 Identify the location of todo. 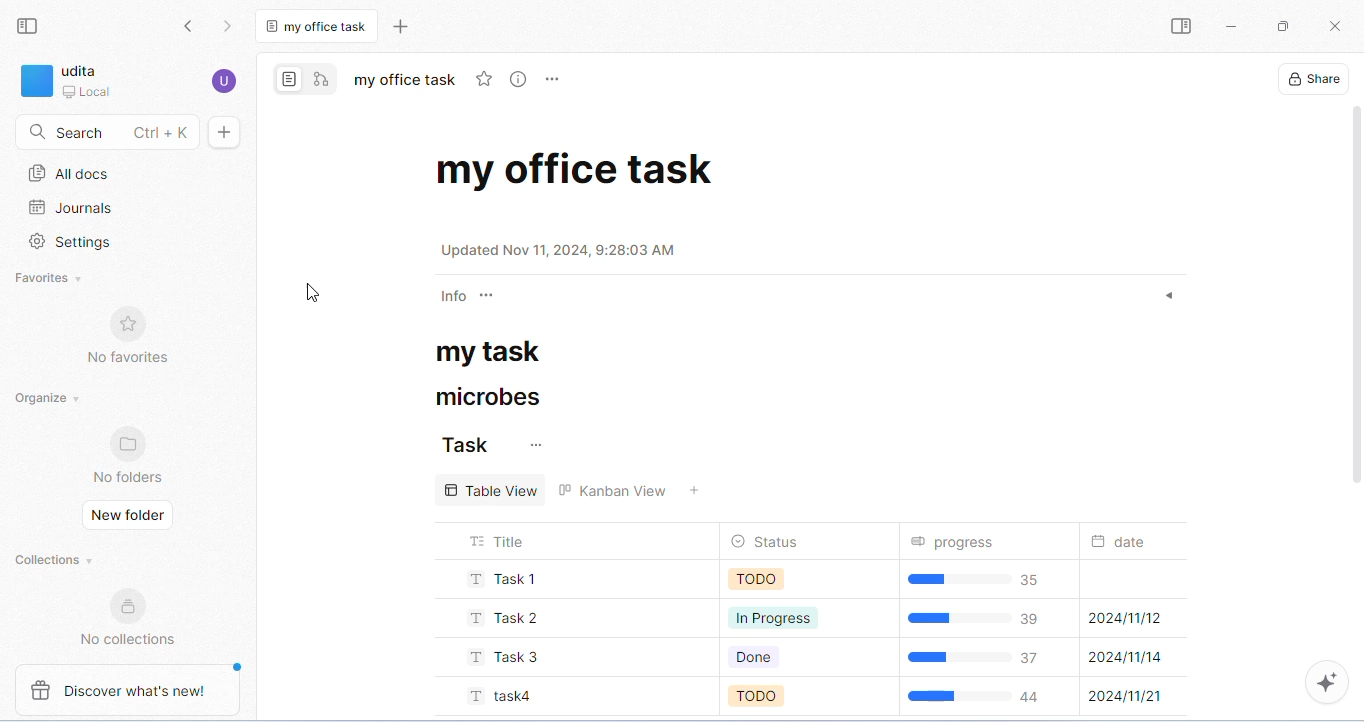
(772, 579).